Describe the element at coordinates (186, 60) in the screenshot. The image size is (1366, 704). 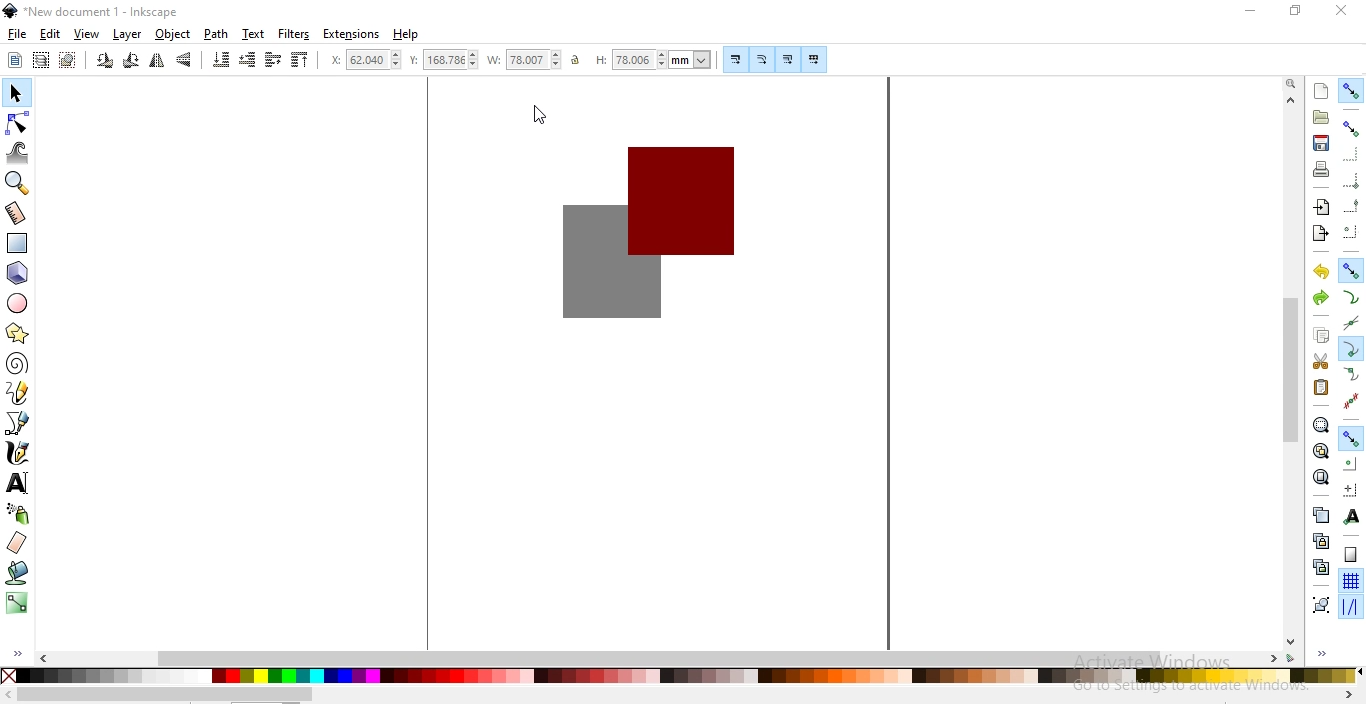
I see `flip vertical` at that location.